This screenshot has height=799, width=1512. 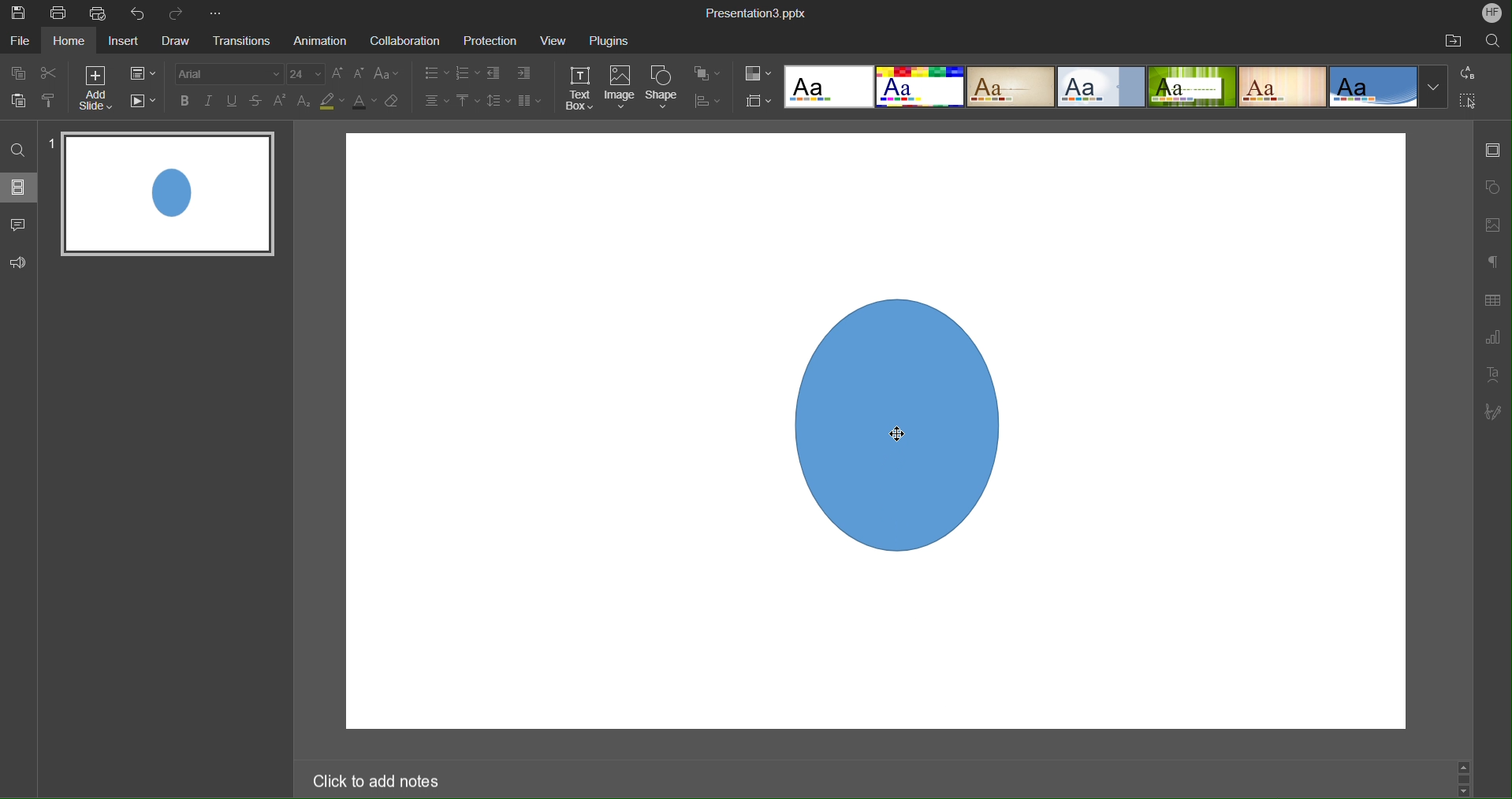 I want to click on Signature, so click(x=1494, y=411).